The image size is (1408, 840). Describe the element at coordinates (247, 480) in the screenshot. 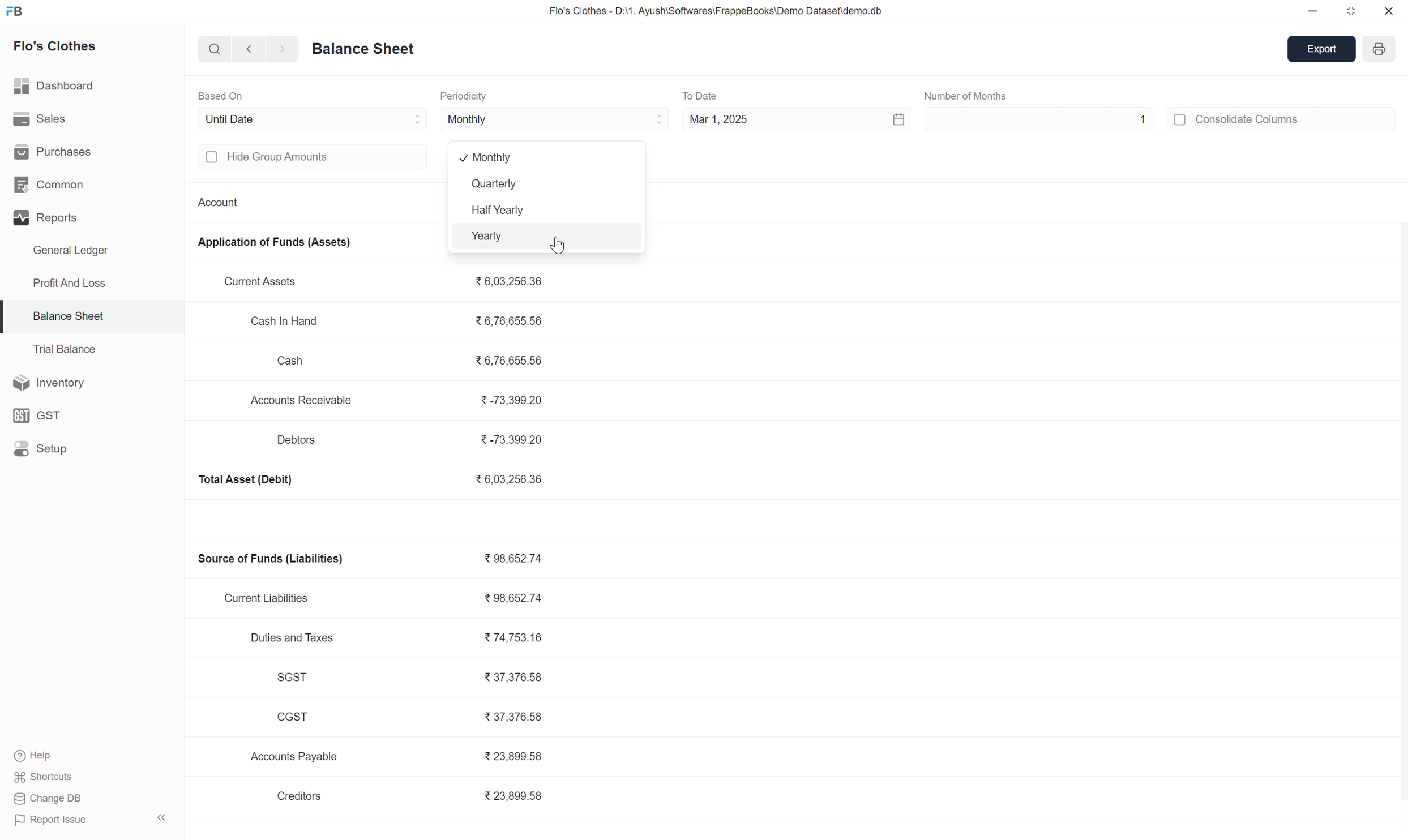

I see `Total Asset (Debit)` at that location.